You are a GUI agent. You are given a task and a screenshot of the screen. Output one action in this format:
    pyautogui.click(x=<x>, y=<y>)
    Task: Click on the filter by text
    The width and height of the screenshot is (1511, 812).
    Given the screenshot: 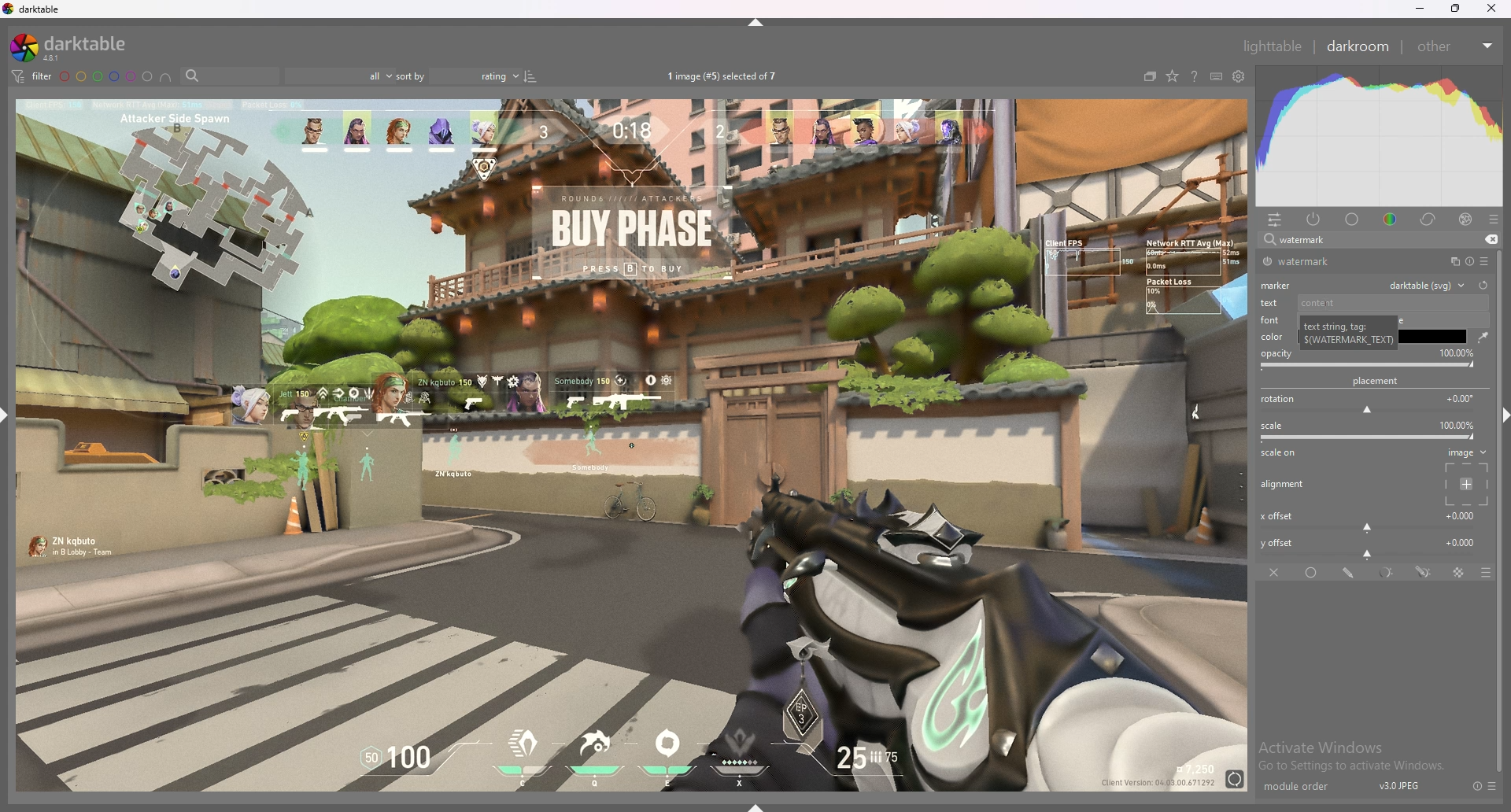 What is the action you would take?
    pyautogui.click(x=230, y=76)
    